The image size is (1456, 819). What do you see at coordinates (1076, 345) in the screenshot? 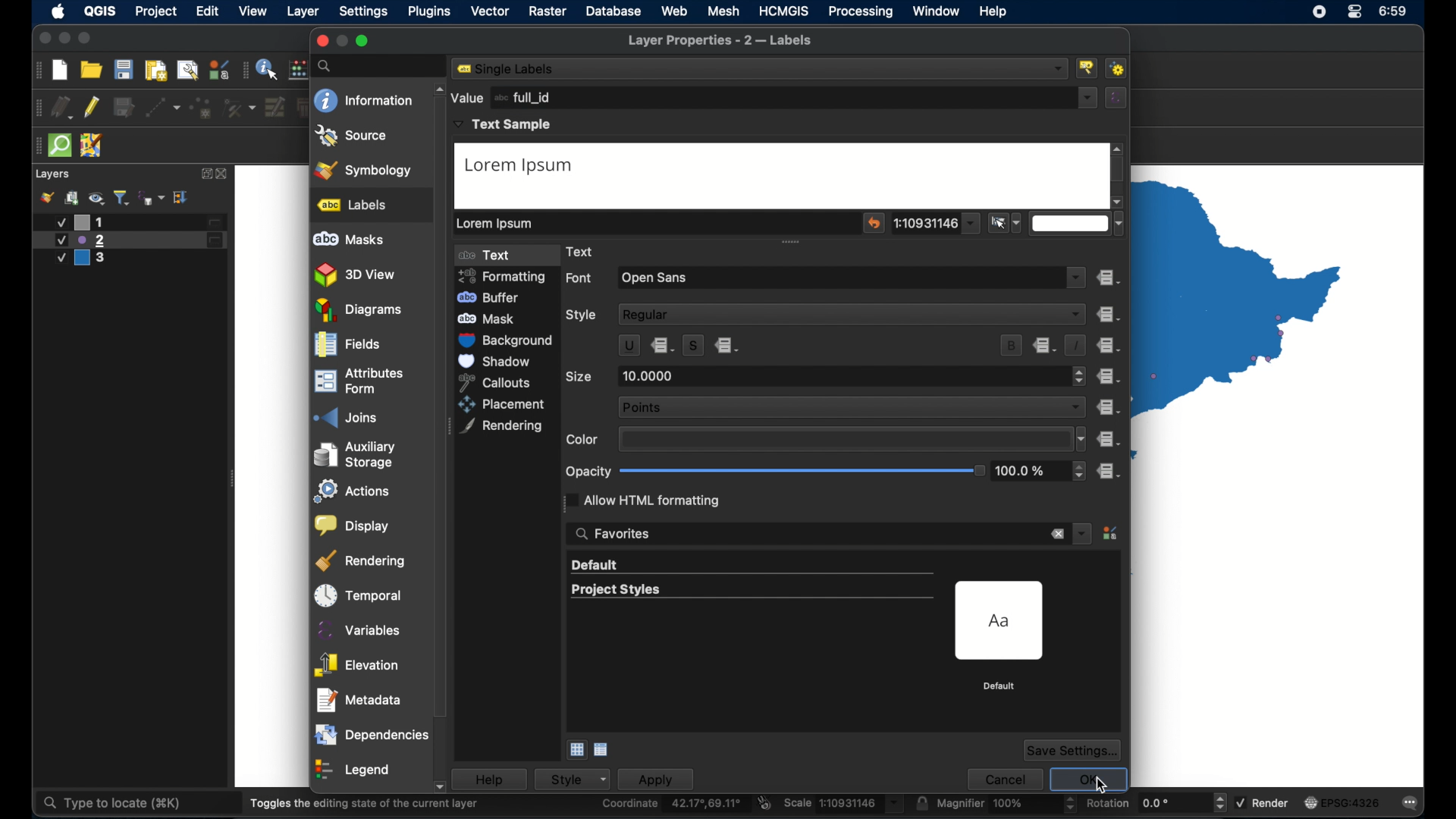
I see `italic` at bounding box center [1076, 345].